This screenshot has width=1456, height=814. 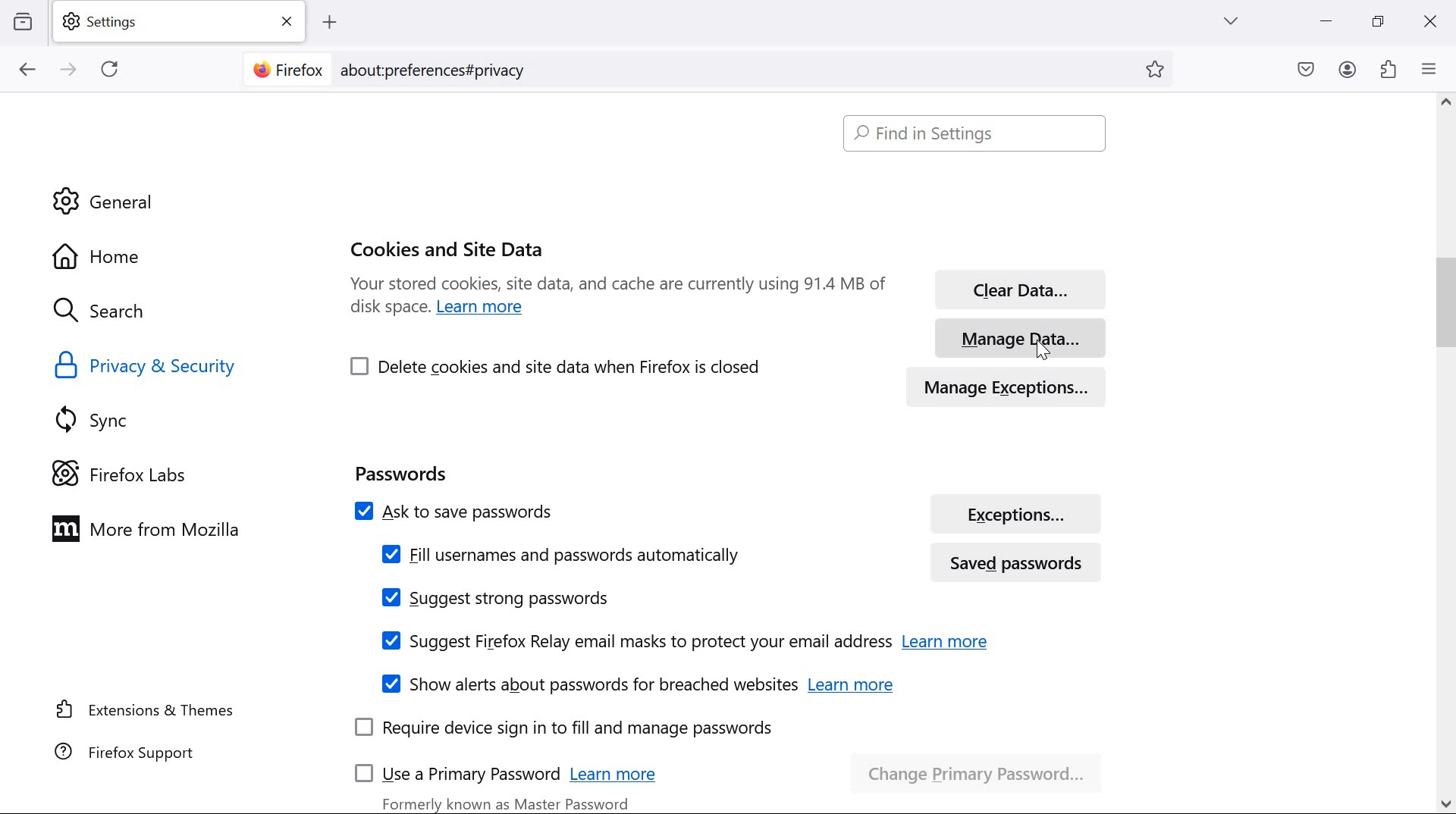 I want to click on save to pocket, so click(x=1306, y=70).